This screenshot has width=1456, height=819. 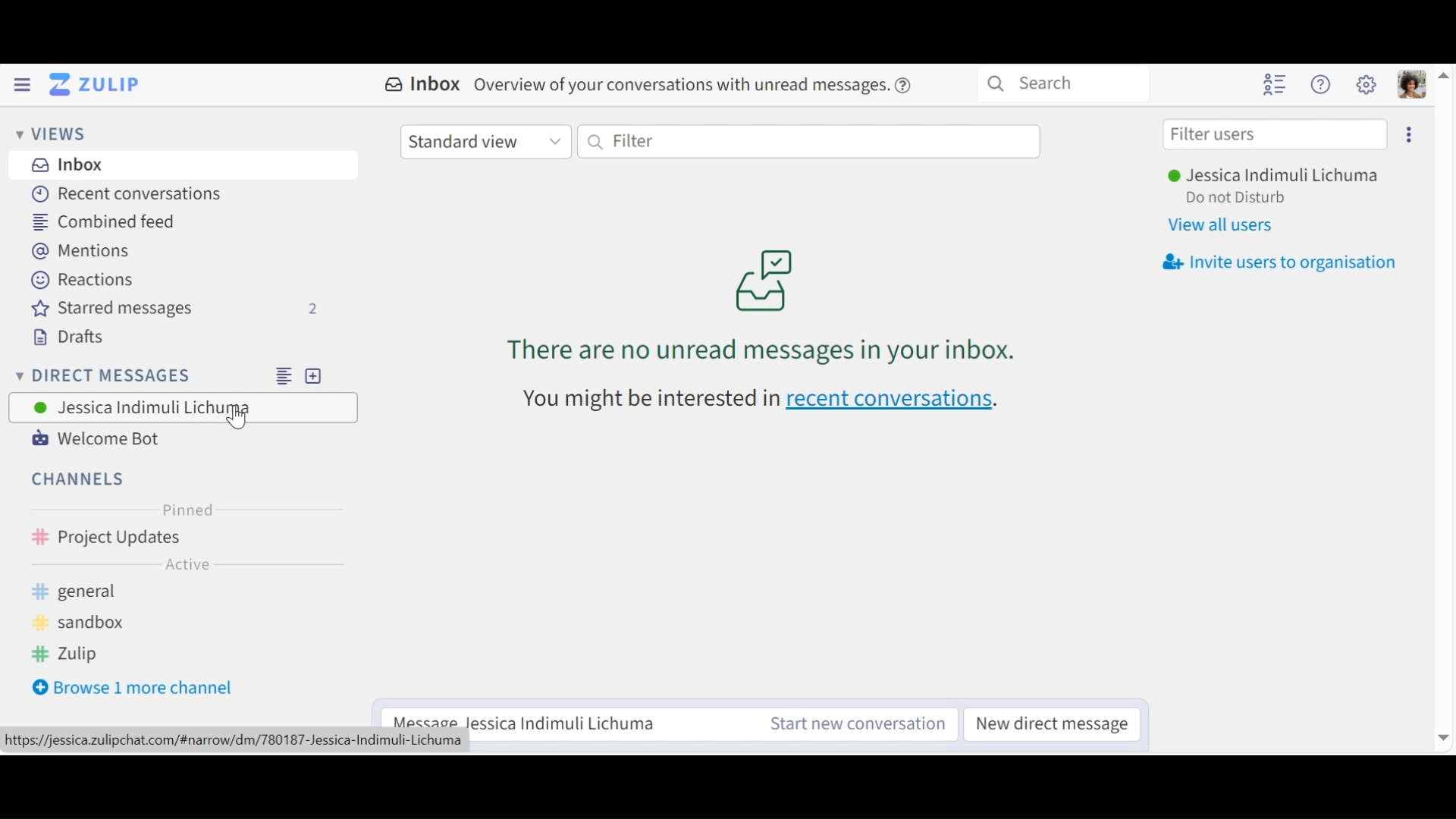 I want to click on Direct Mesages, so click(x=171, y=375).